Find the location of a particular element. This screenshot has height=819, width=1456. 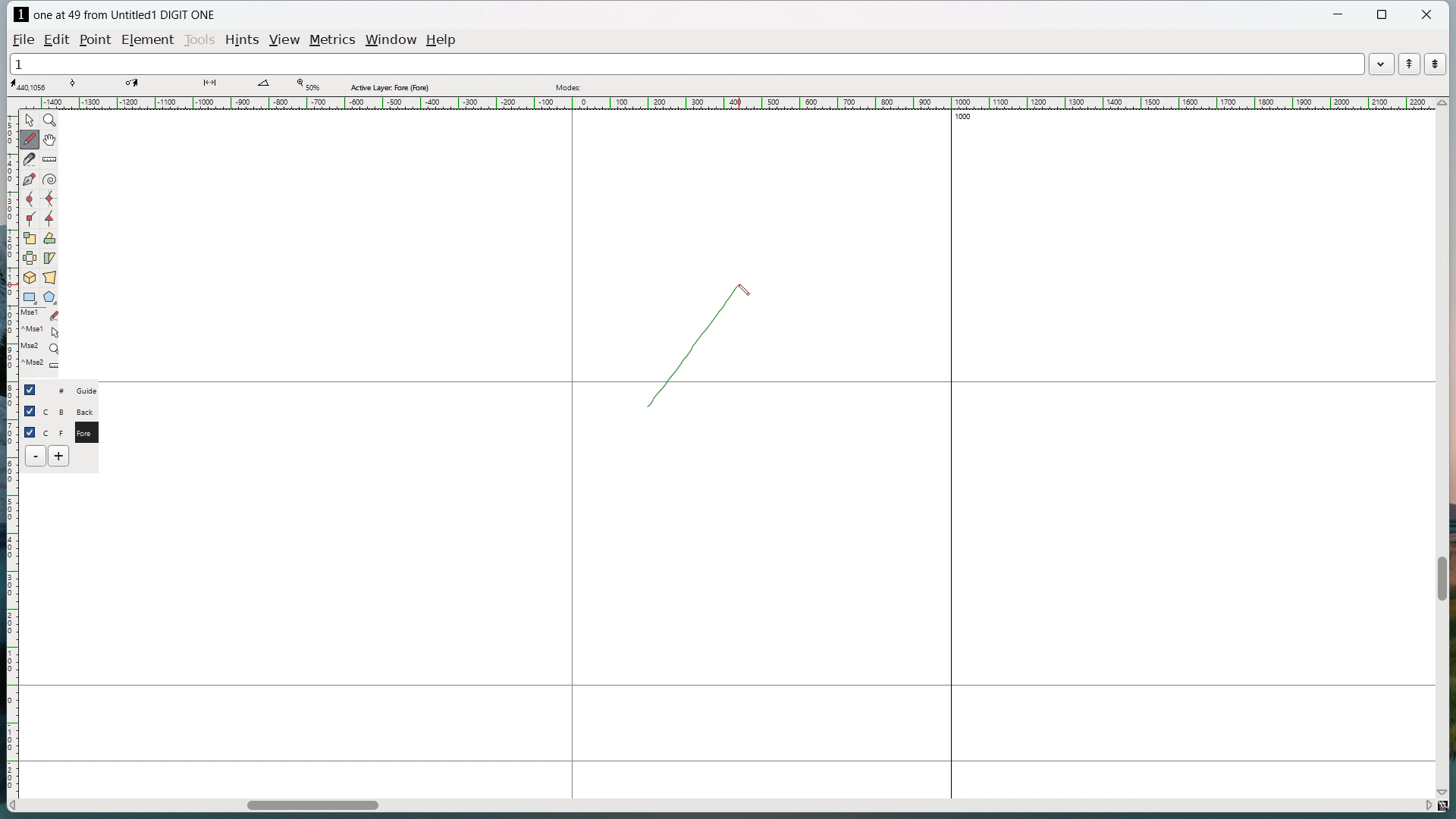

minimize is located at coordinates (1340, 16).